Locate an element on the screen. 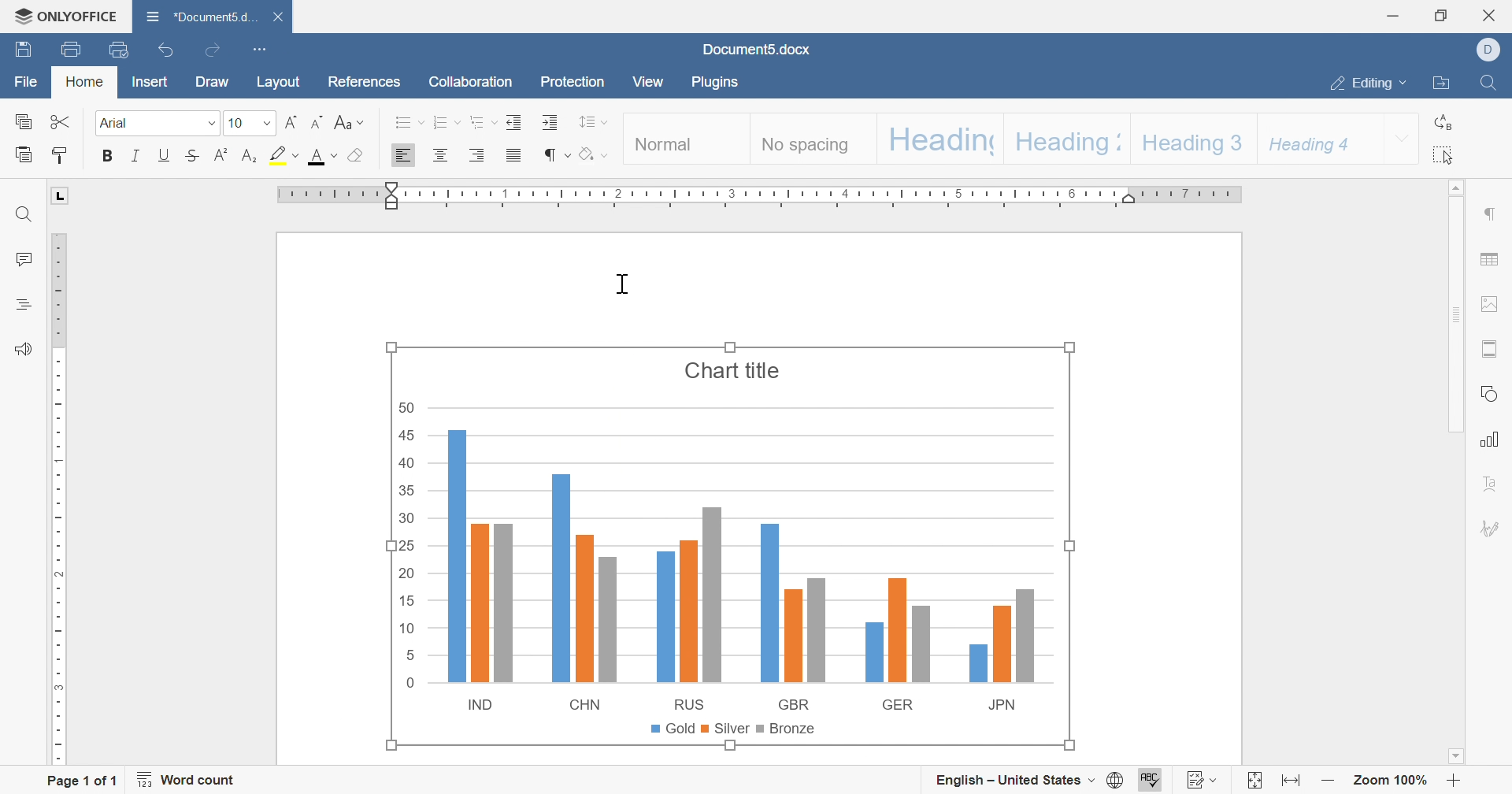  Arial is located at coordinates (118, 124).